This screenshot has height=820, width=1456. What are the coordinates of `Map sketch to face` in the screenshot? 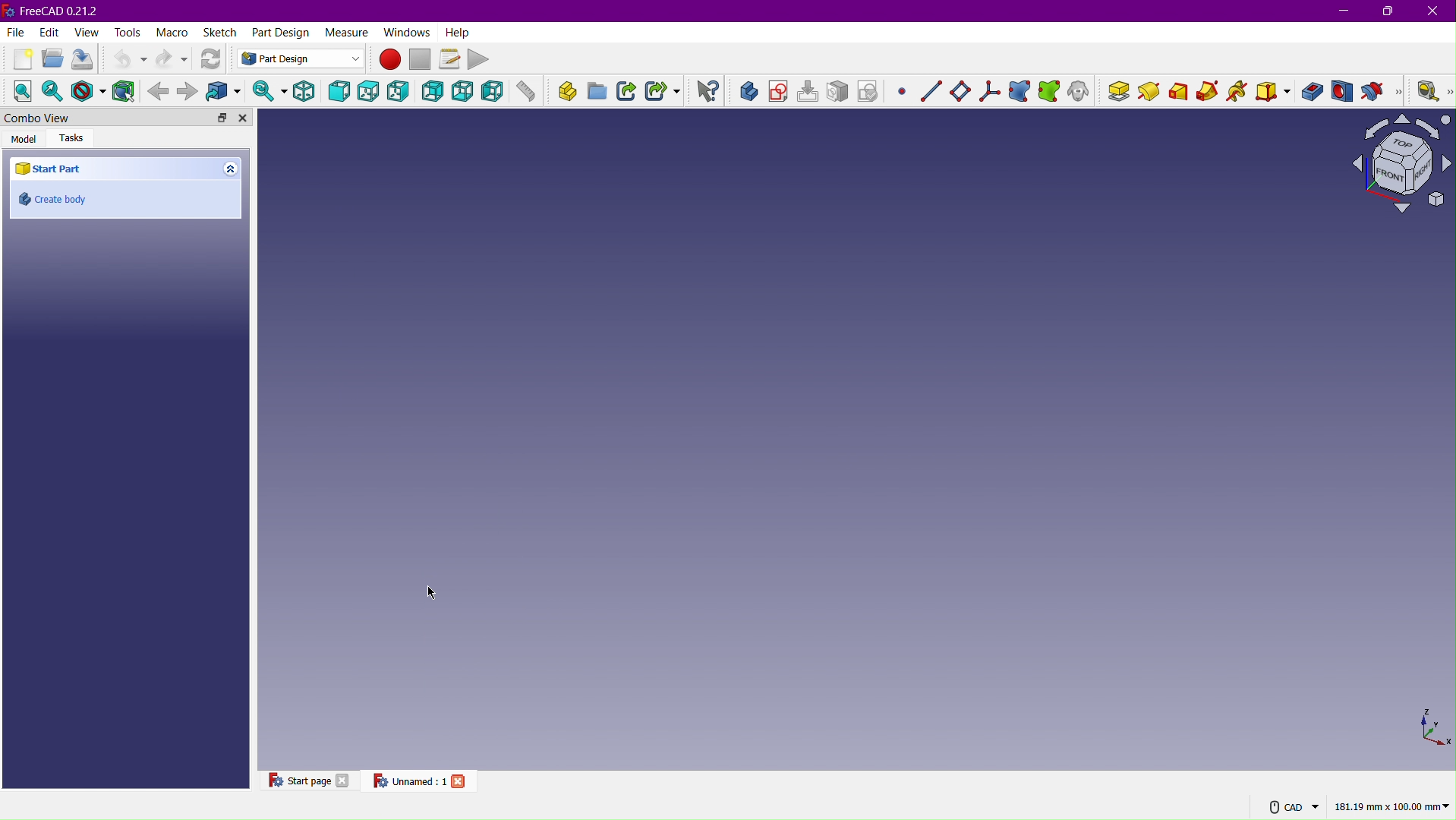 It's located at (840, 91).